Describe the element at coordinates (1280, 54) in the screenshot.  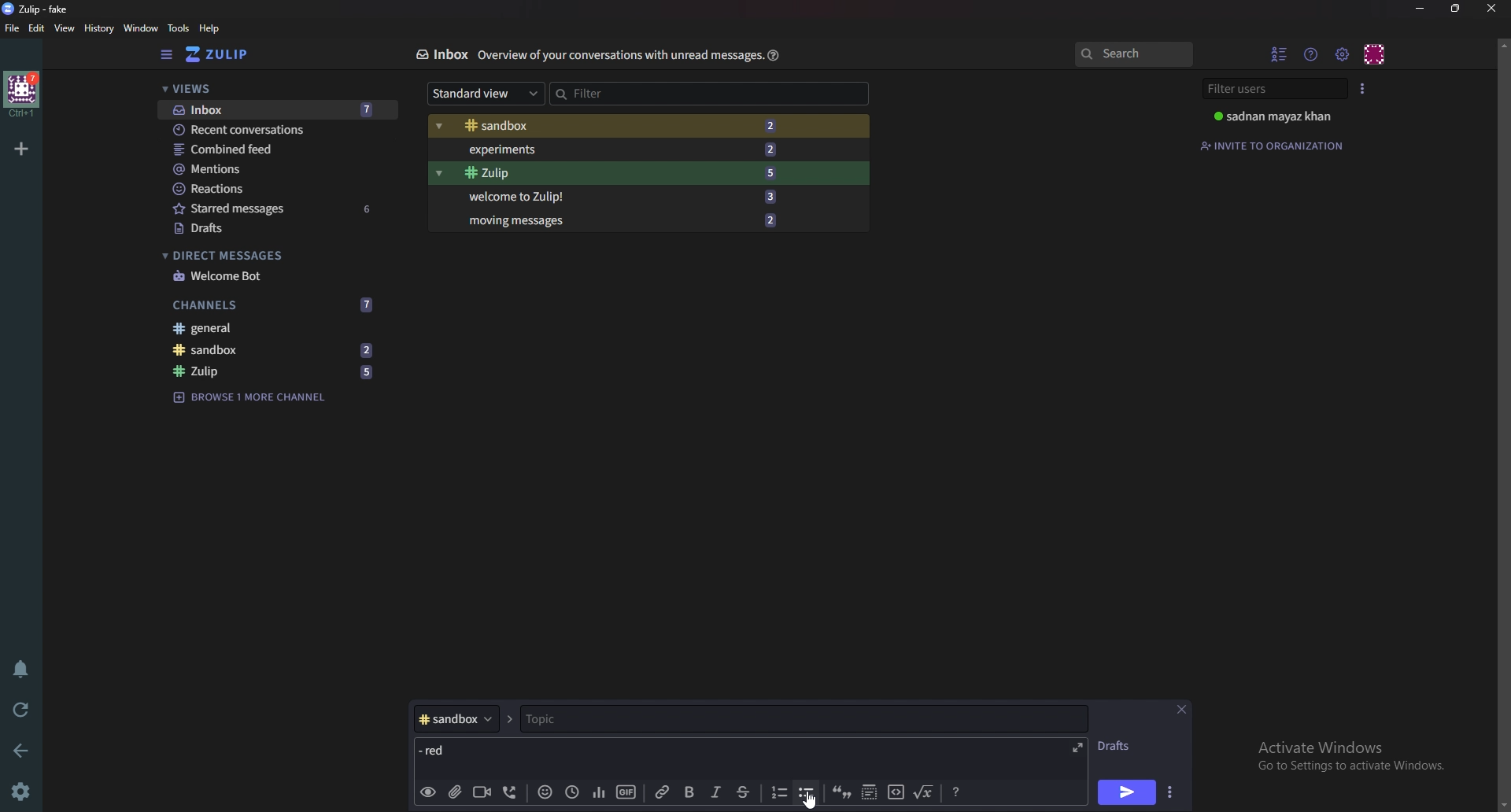
I see `Hide user list` at that location.